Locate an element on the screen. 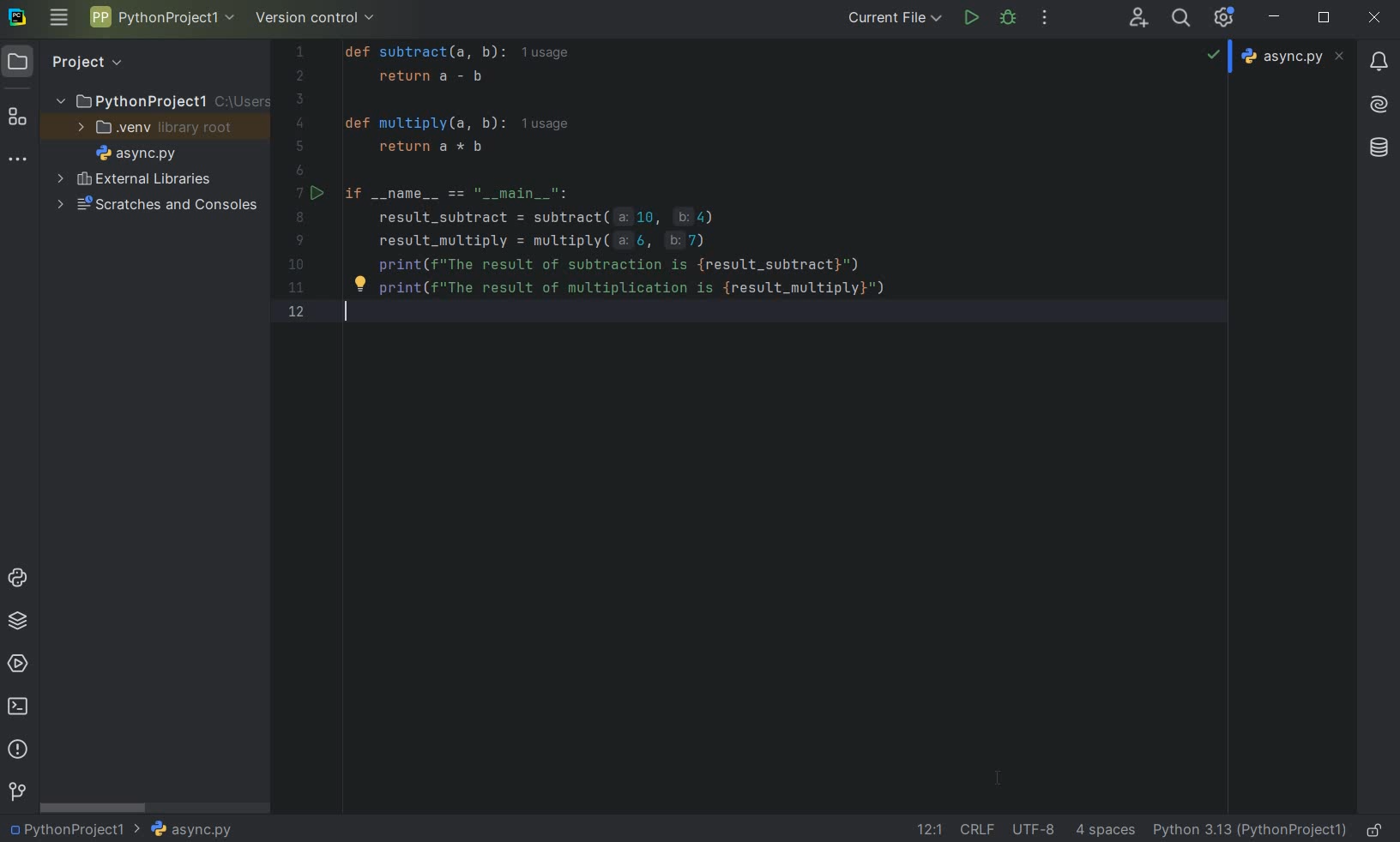 This screenshot has height=842, width=1400. version control is located at coordinates (321, 19).